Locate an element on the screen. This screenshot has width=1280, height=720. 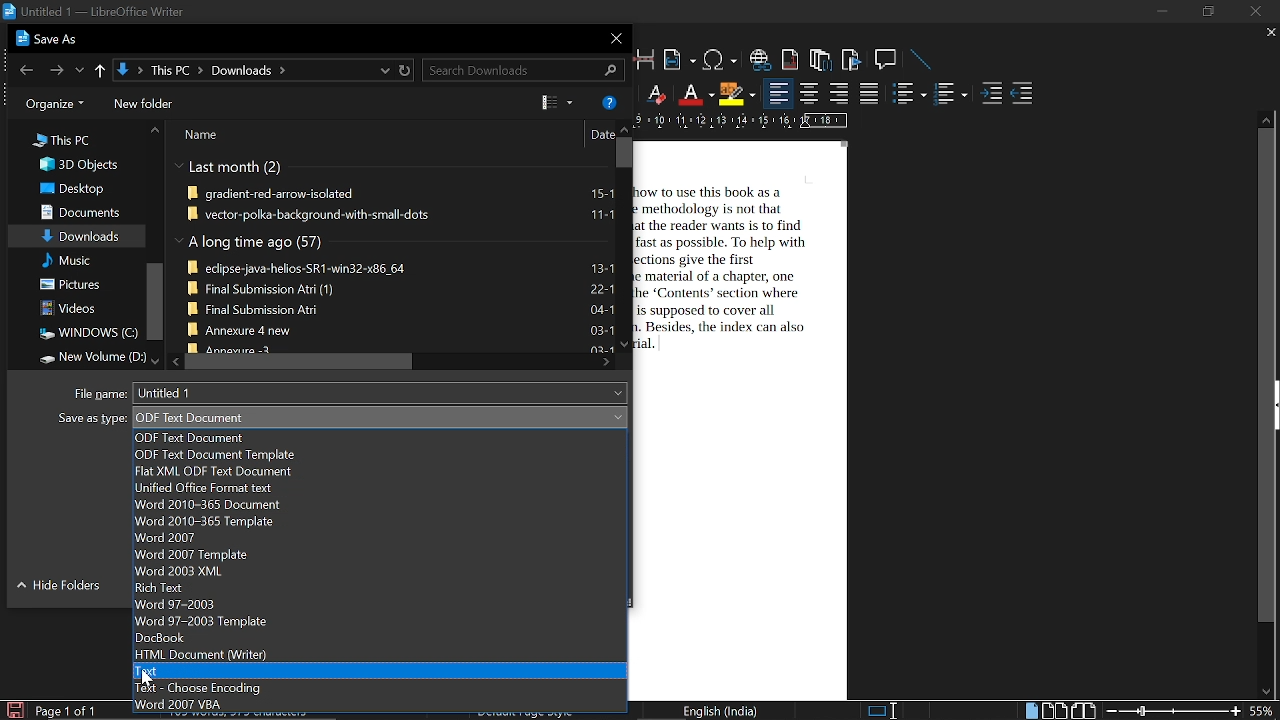
Videos is located at coordinates (69, 308).